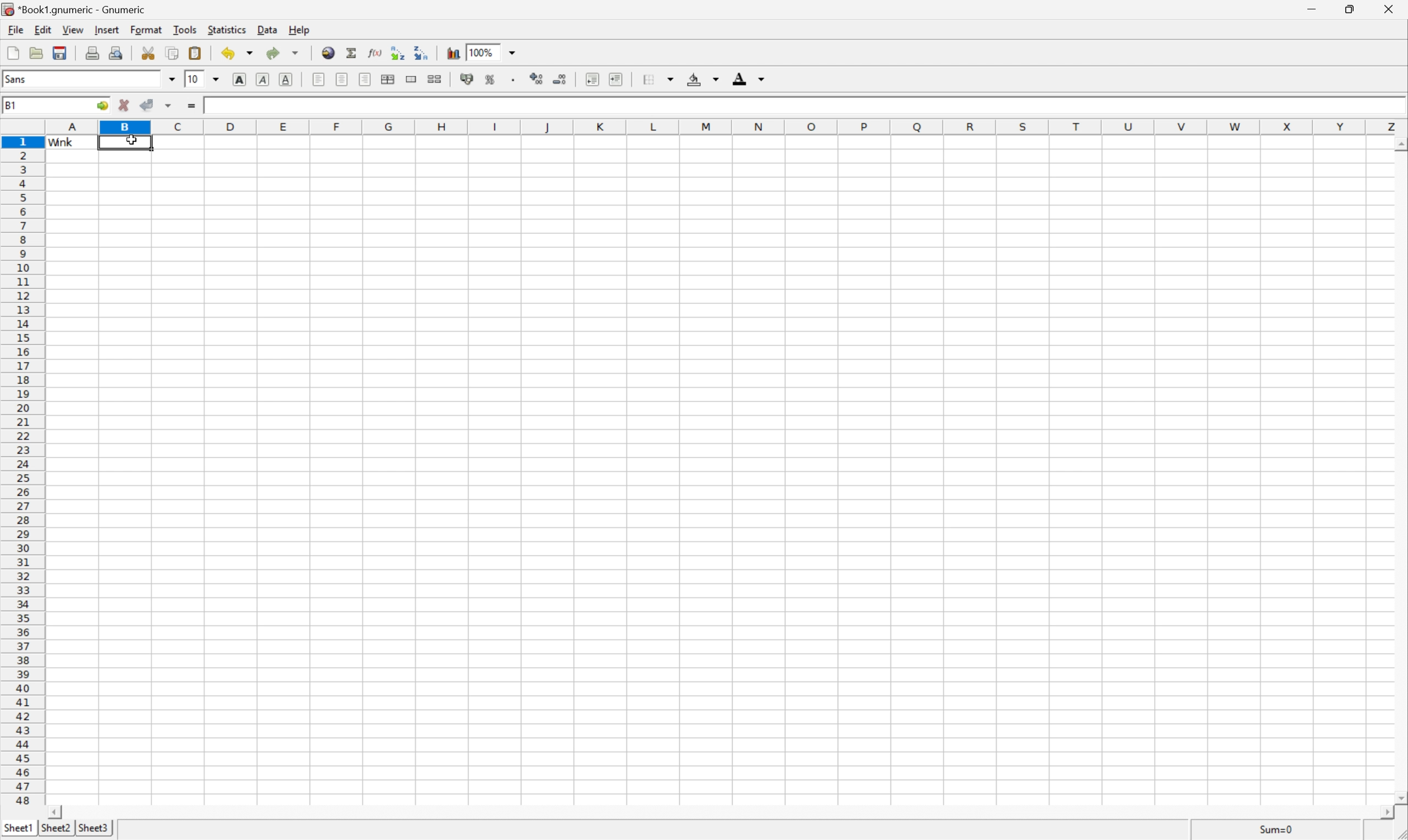  What do you see at coordinates (122, 104) in the screenshot?
I see `cancel changes` at bounding box center [122, 104].